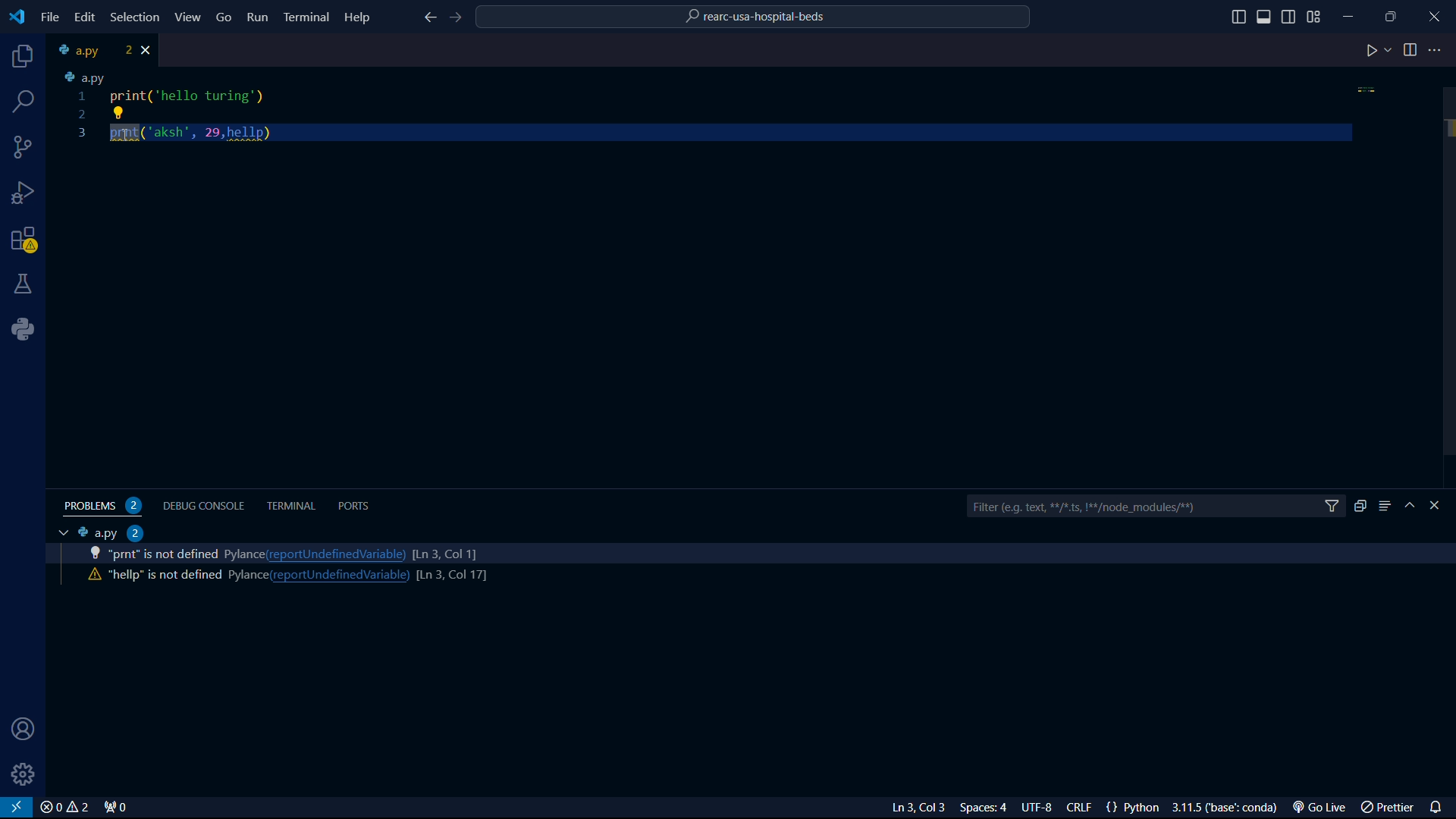 The width and height of the screenshot is (1456, 819). Describe the element at coordinates (1229, 808) in the screenshot. I see `3.1.5` at that location.